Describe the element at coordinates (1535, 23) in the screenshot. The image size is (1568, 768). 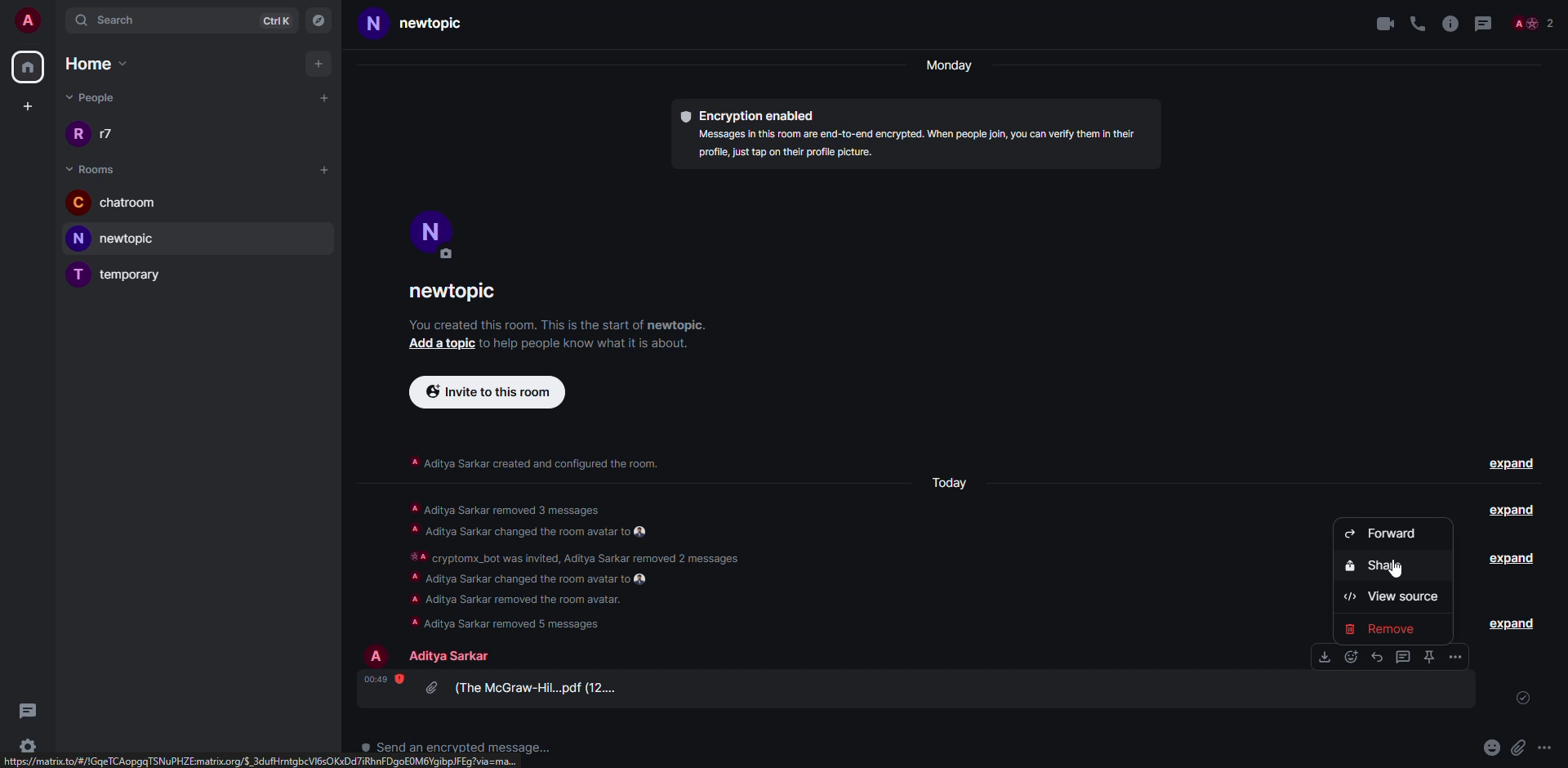
I see `people` at that location.